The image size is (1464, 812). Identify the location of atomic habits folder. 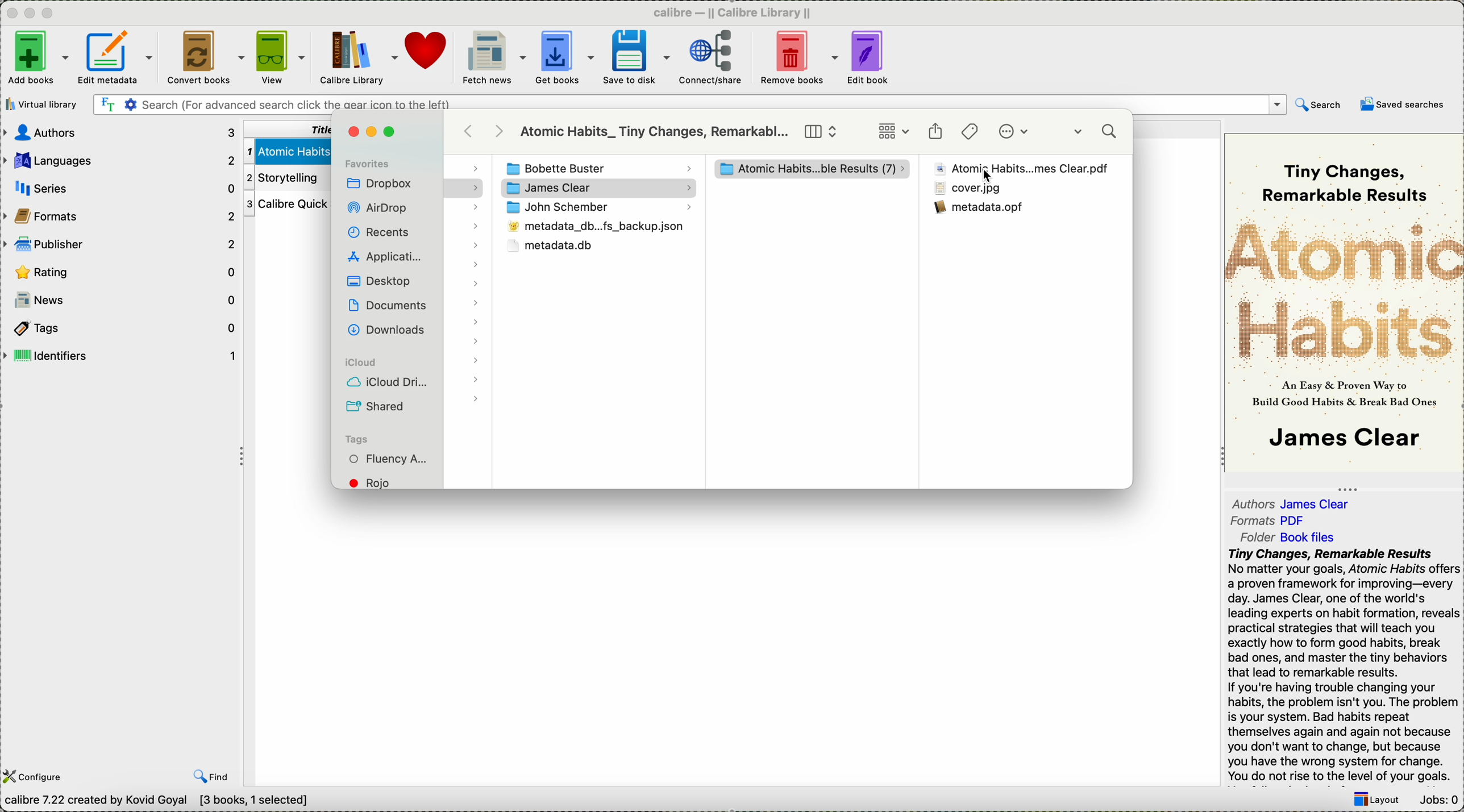
(812, 170).